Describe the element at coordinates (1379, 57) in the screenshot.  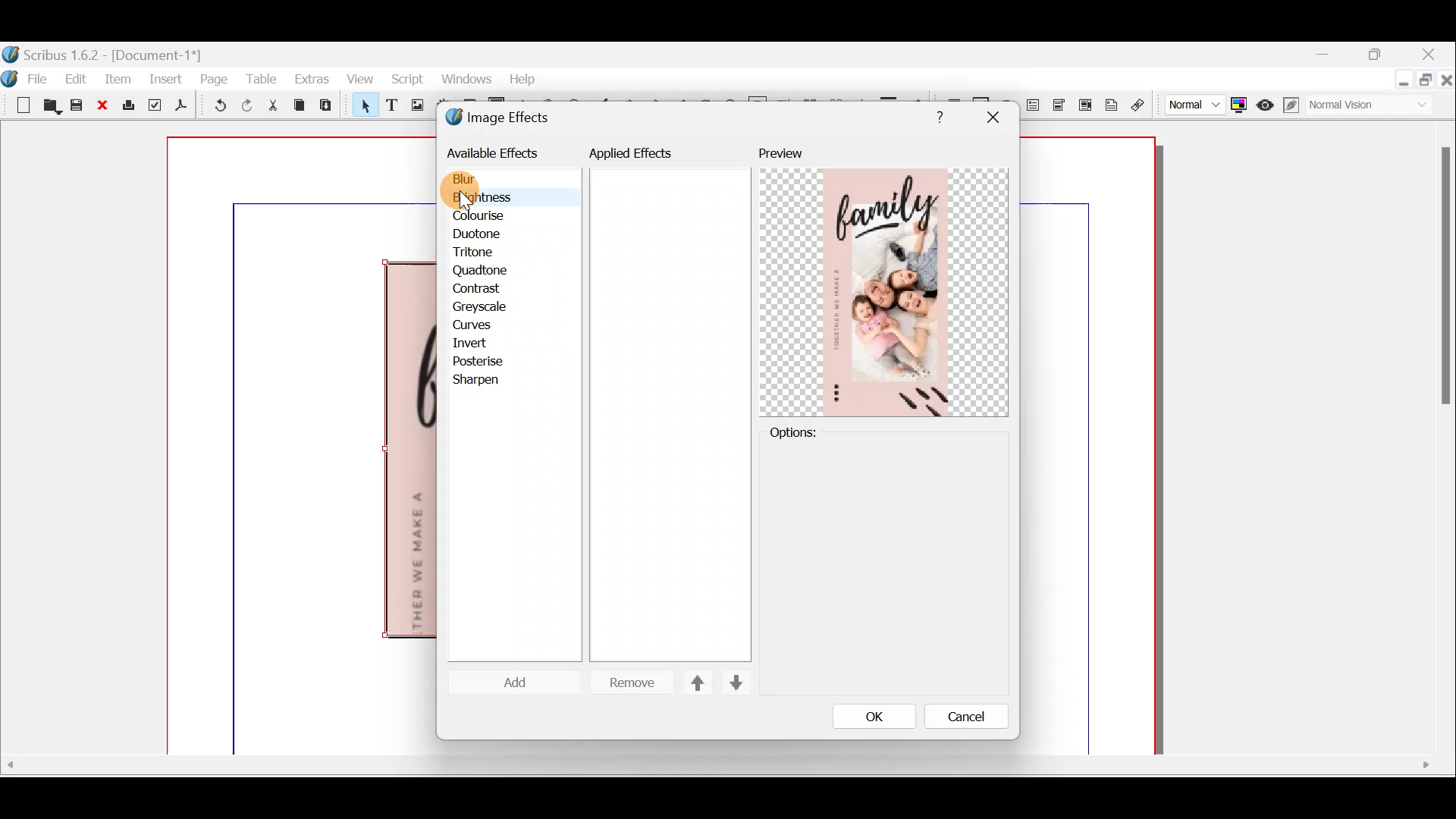
I see `maximise` at that location.